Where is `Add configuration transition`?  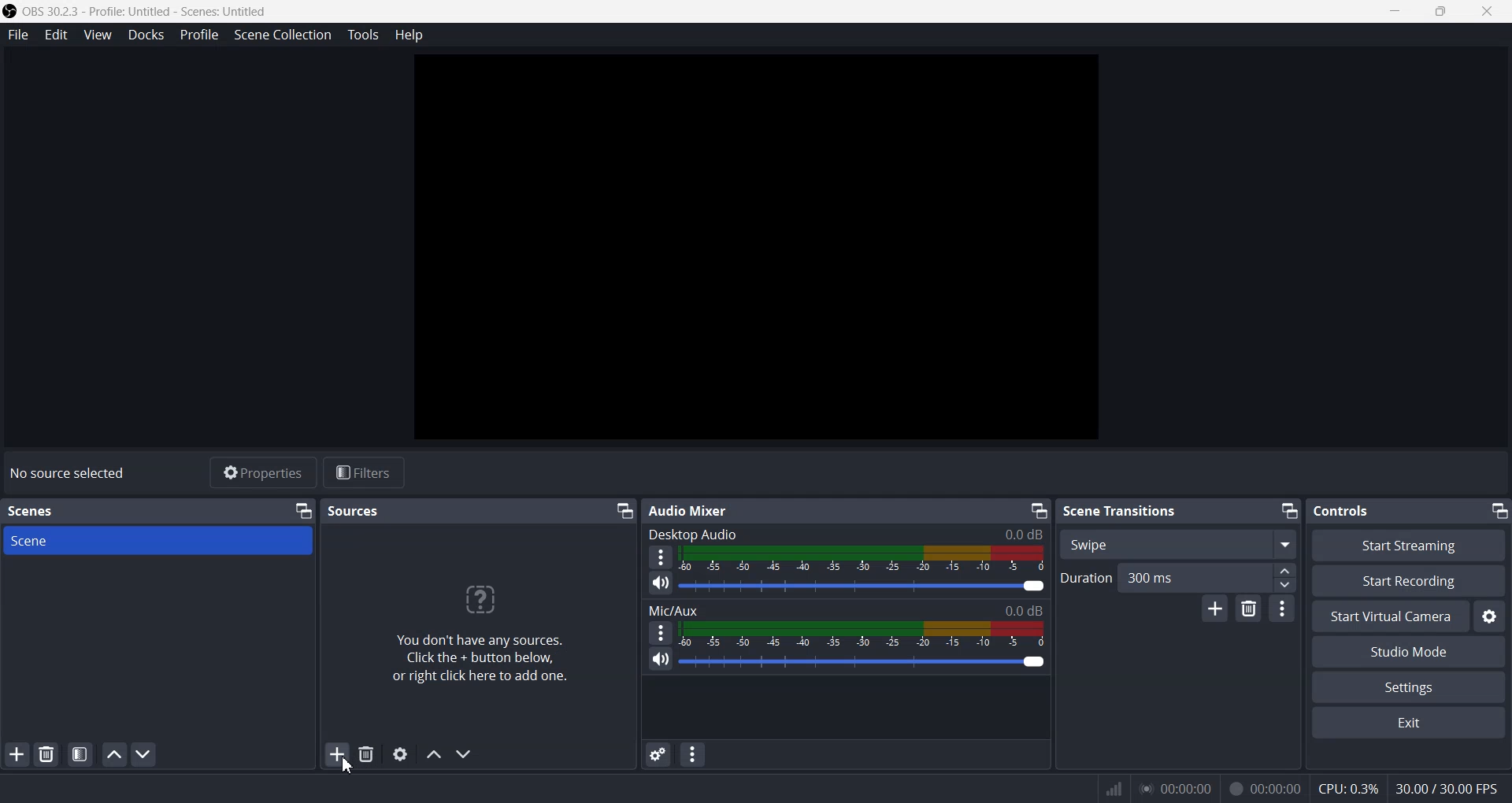 Add configuration transition is located at coordinates (1215, 609).